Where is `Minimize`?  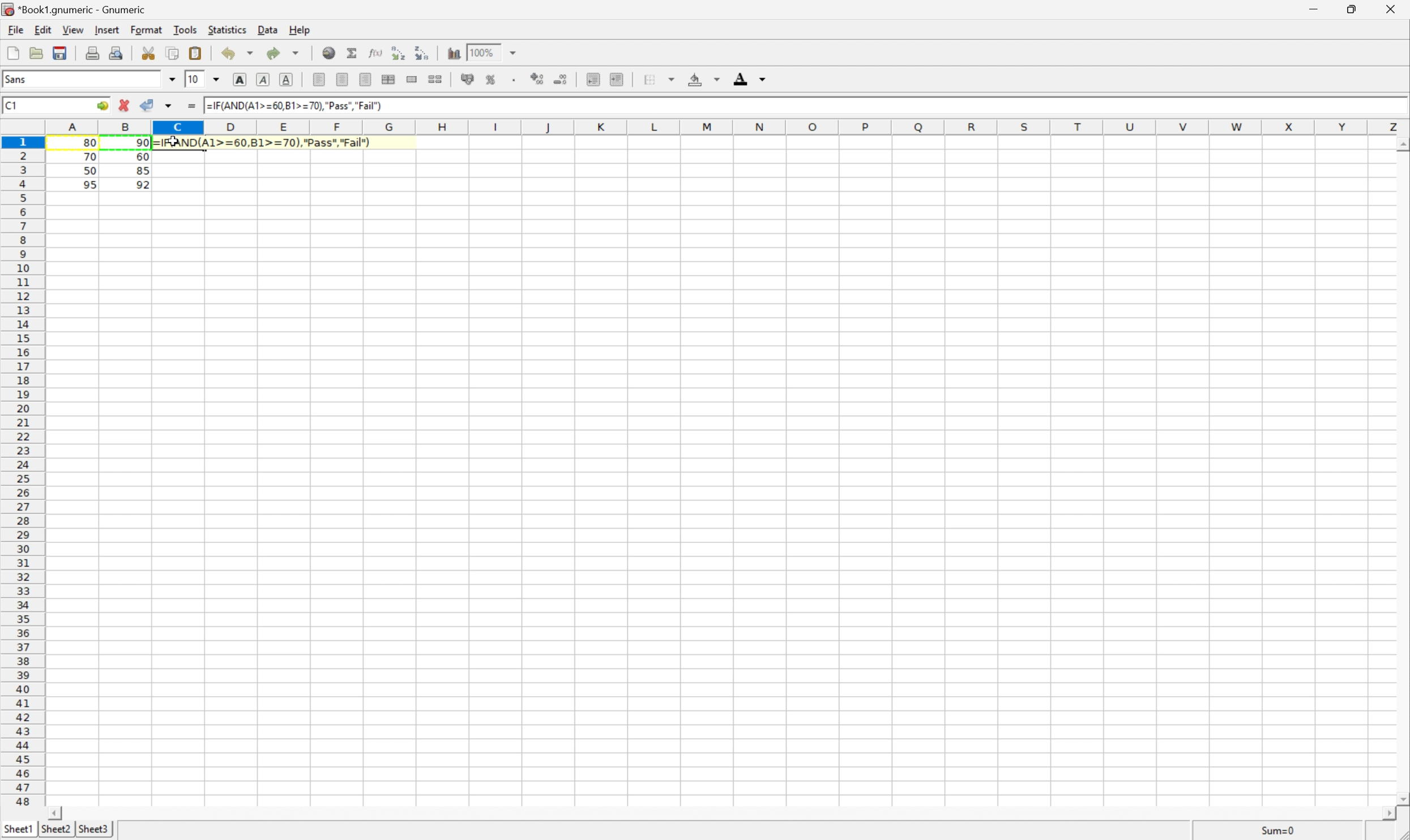 Minimize is located at coordinates (1314, 7).